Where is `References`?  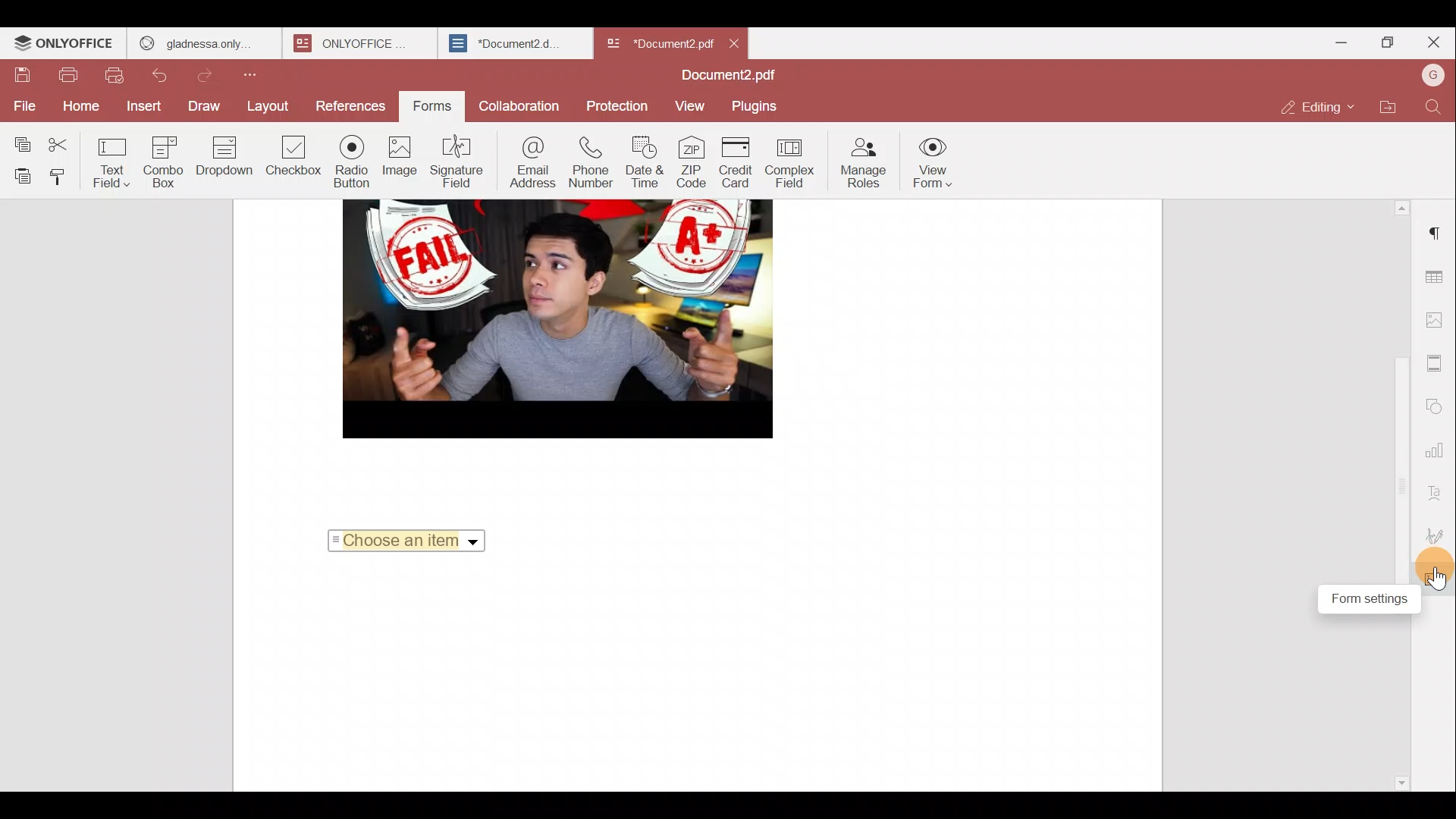
References is located at coordinates (347, 104).